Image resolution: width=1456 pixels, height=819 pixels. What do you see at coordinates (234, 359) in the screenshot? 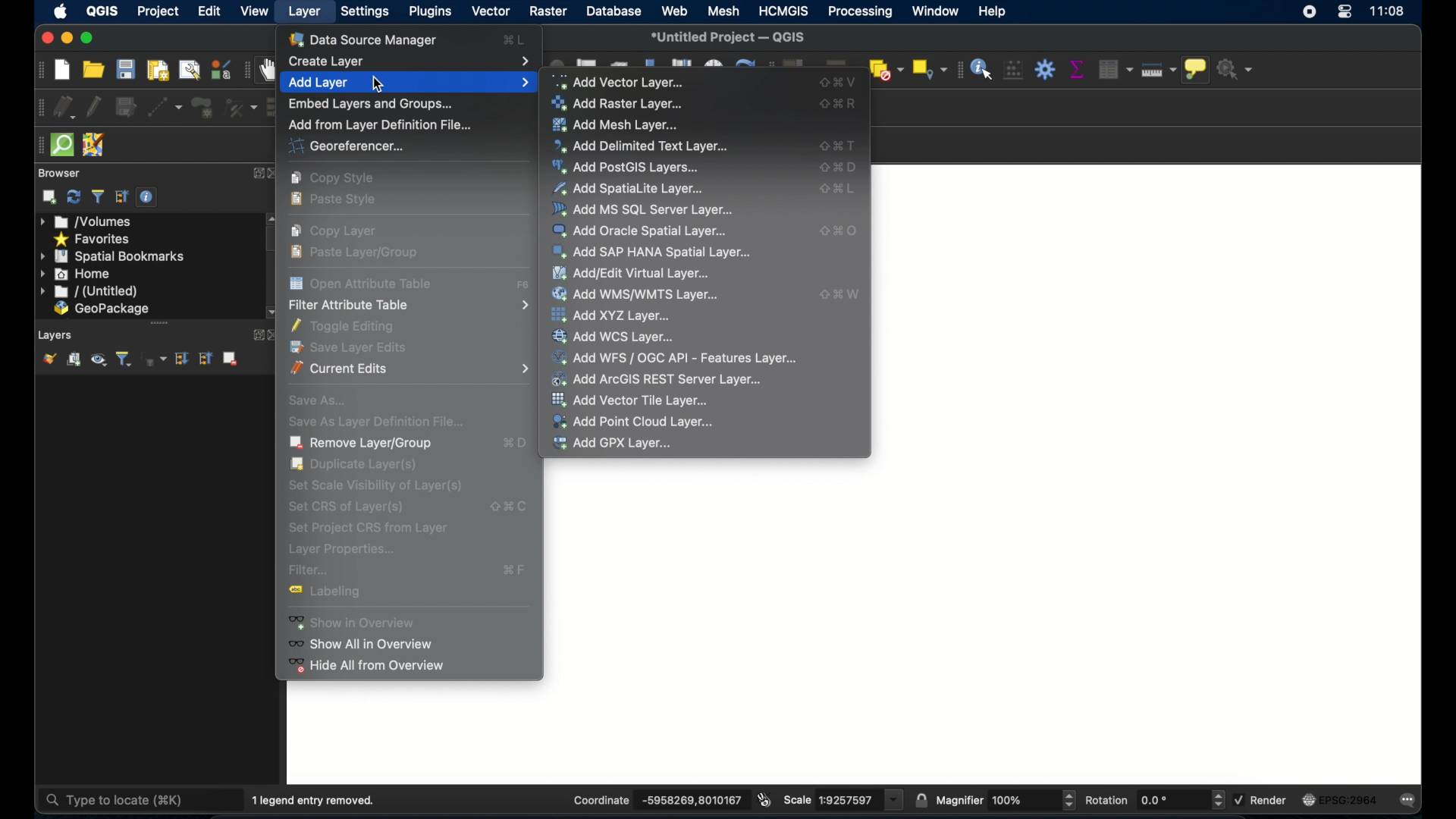
I see `remove layer/group` at bounding box center [234, 359].